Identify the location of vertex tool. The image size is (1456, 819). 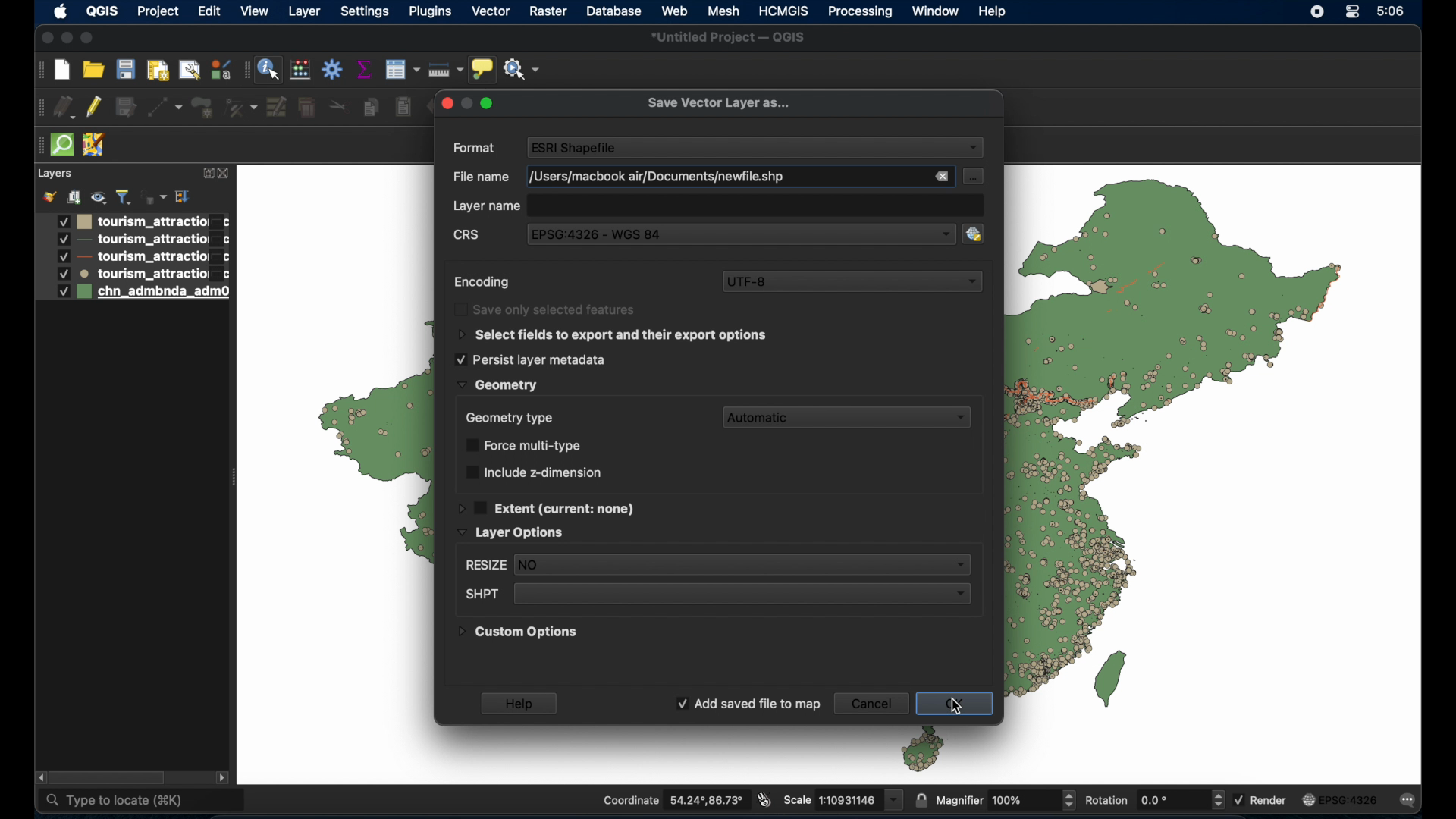
(243, 108).